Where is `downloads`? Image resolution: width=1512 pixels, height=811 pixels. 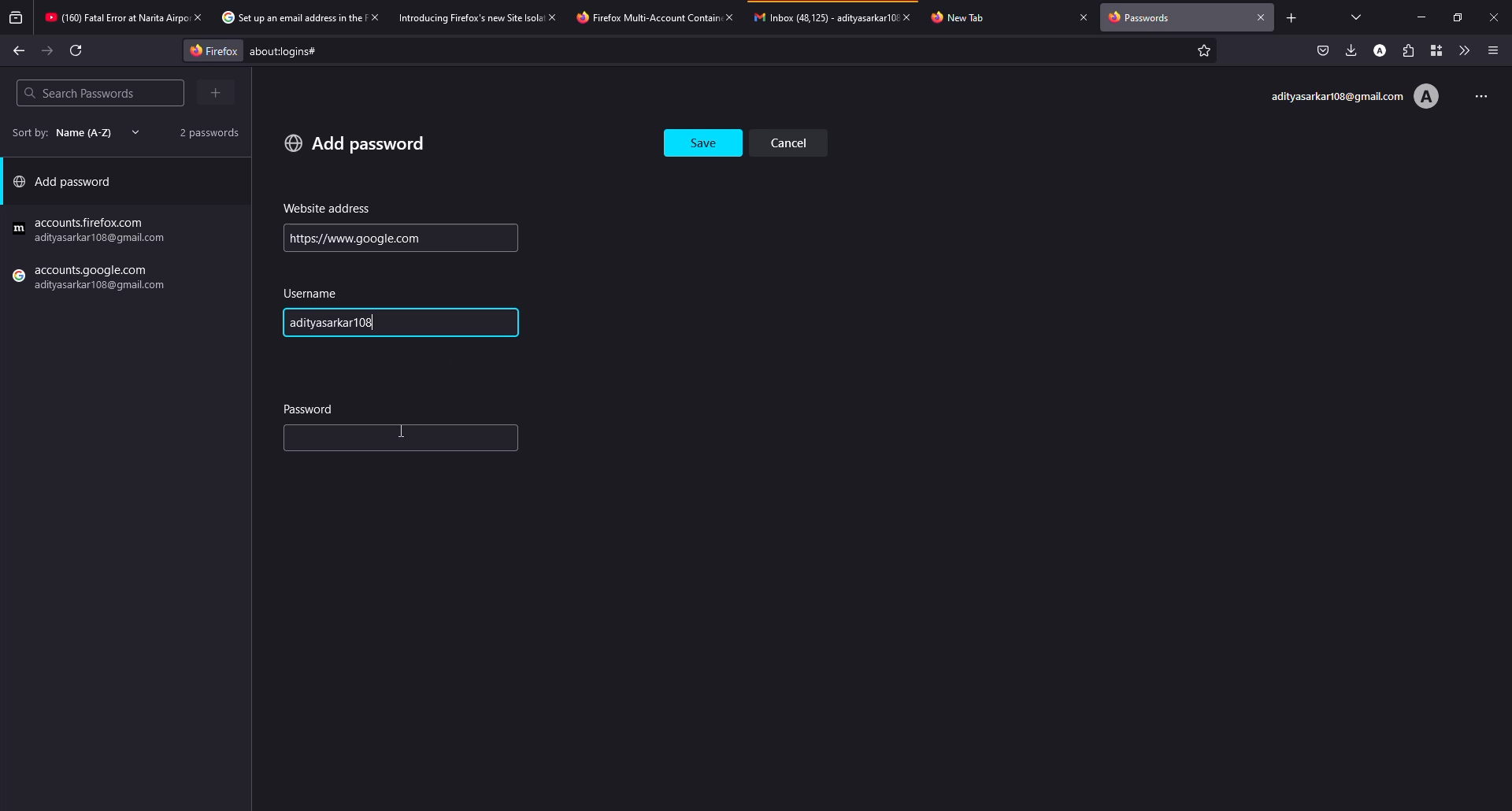
downloads is located at coordinates (1351, 50).